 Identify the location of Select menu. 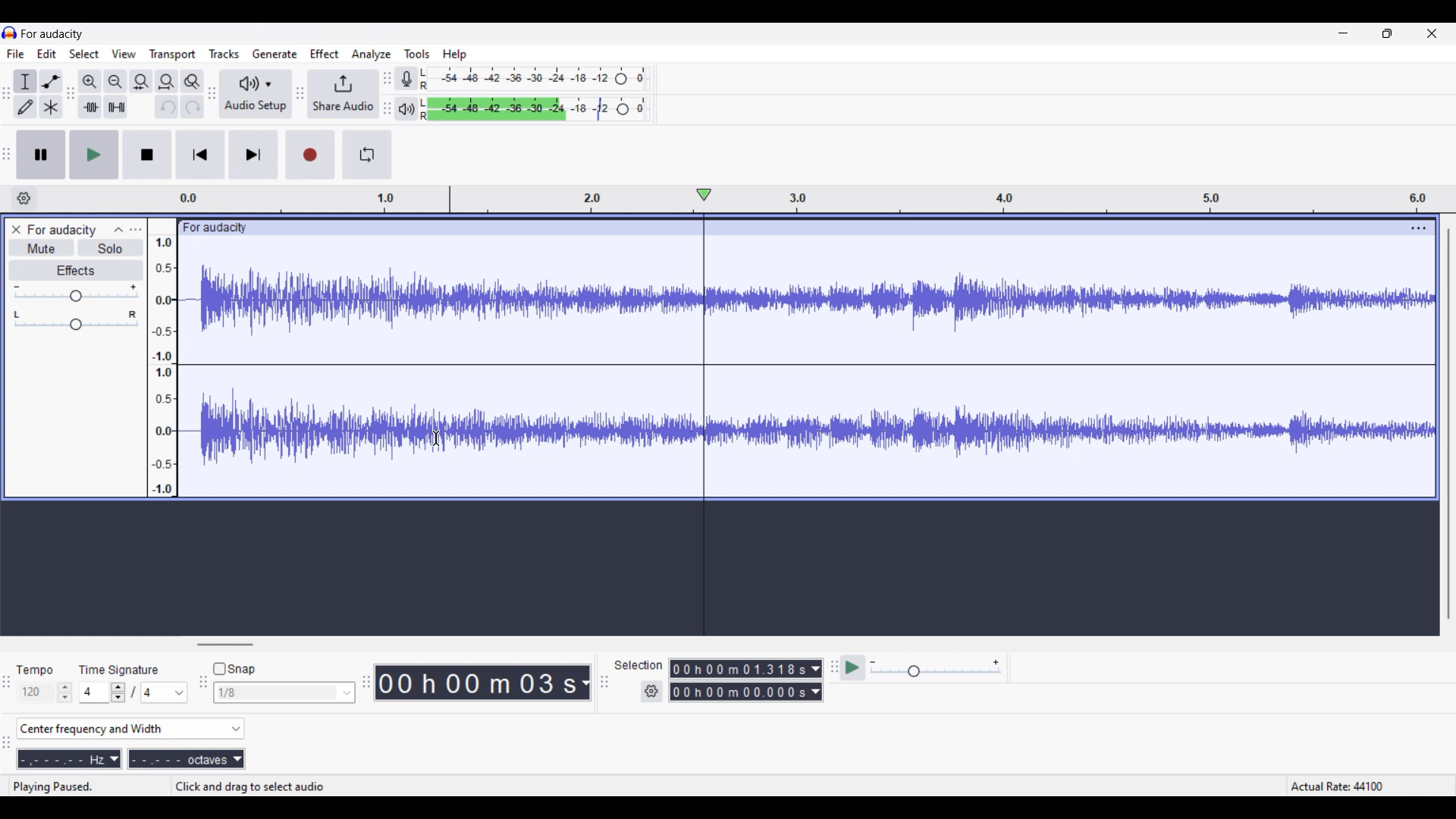
(84, 54).